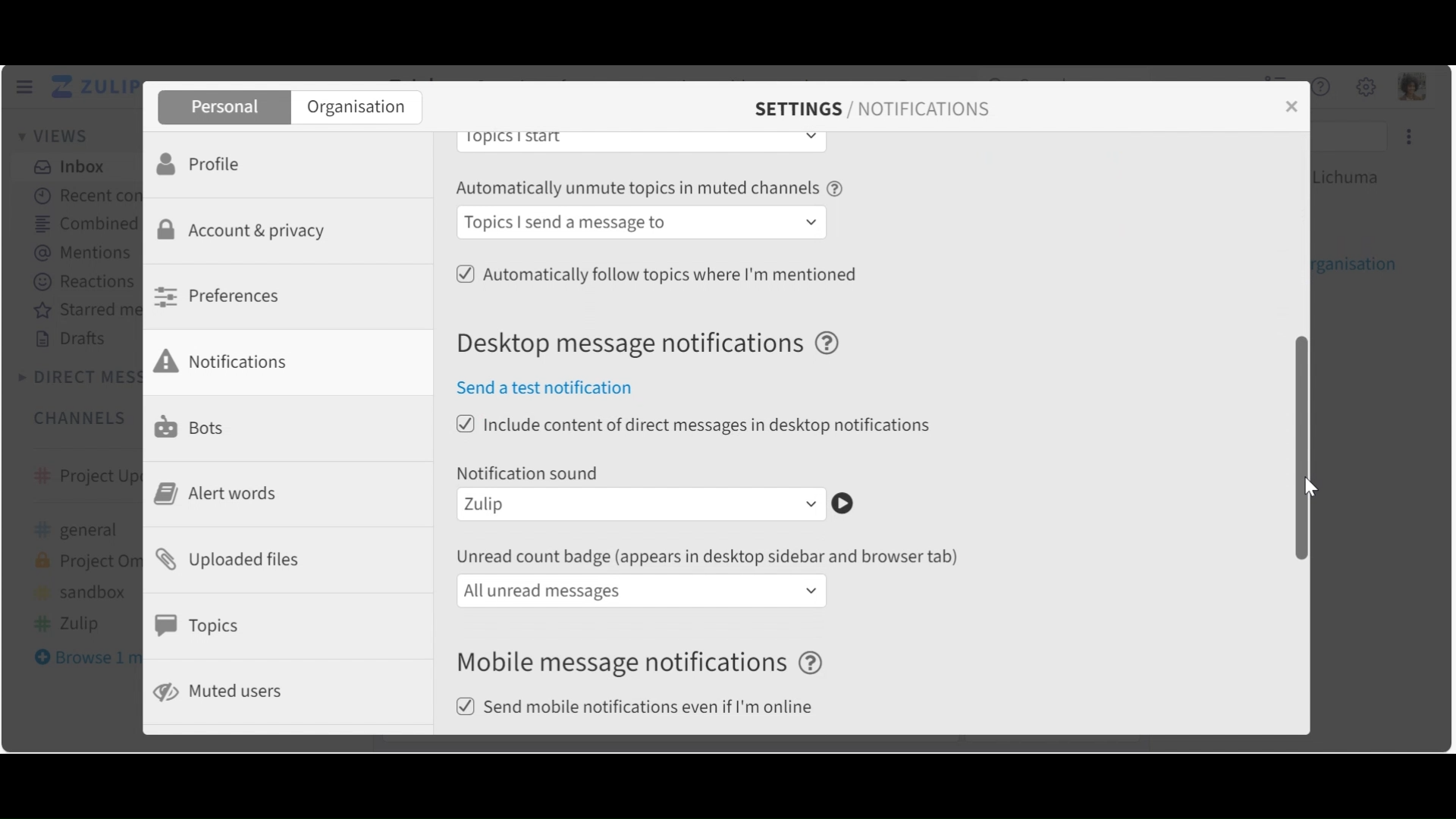 This screenshot has width=1456, height=819. I want to click on unread count badge, so click(713, 557).